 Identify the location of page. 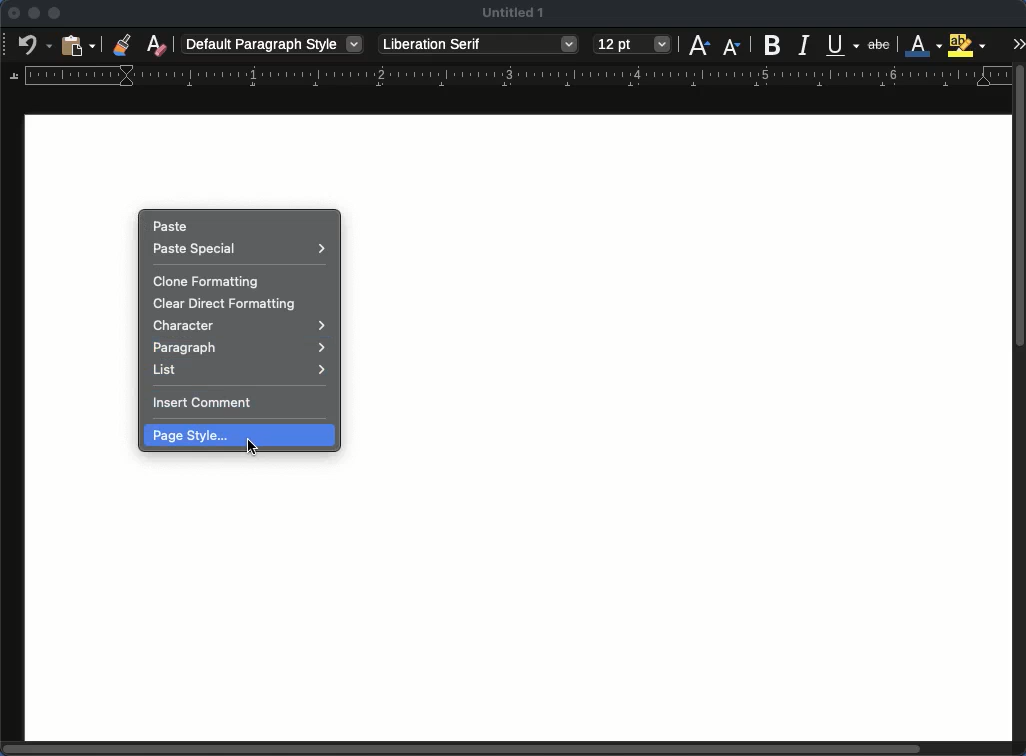
(687, 503).